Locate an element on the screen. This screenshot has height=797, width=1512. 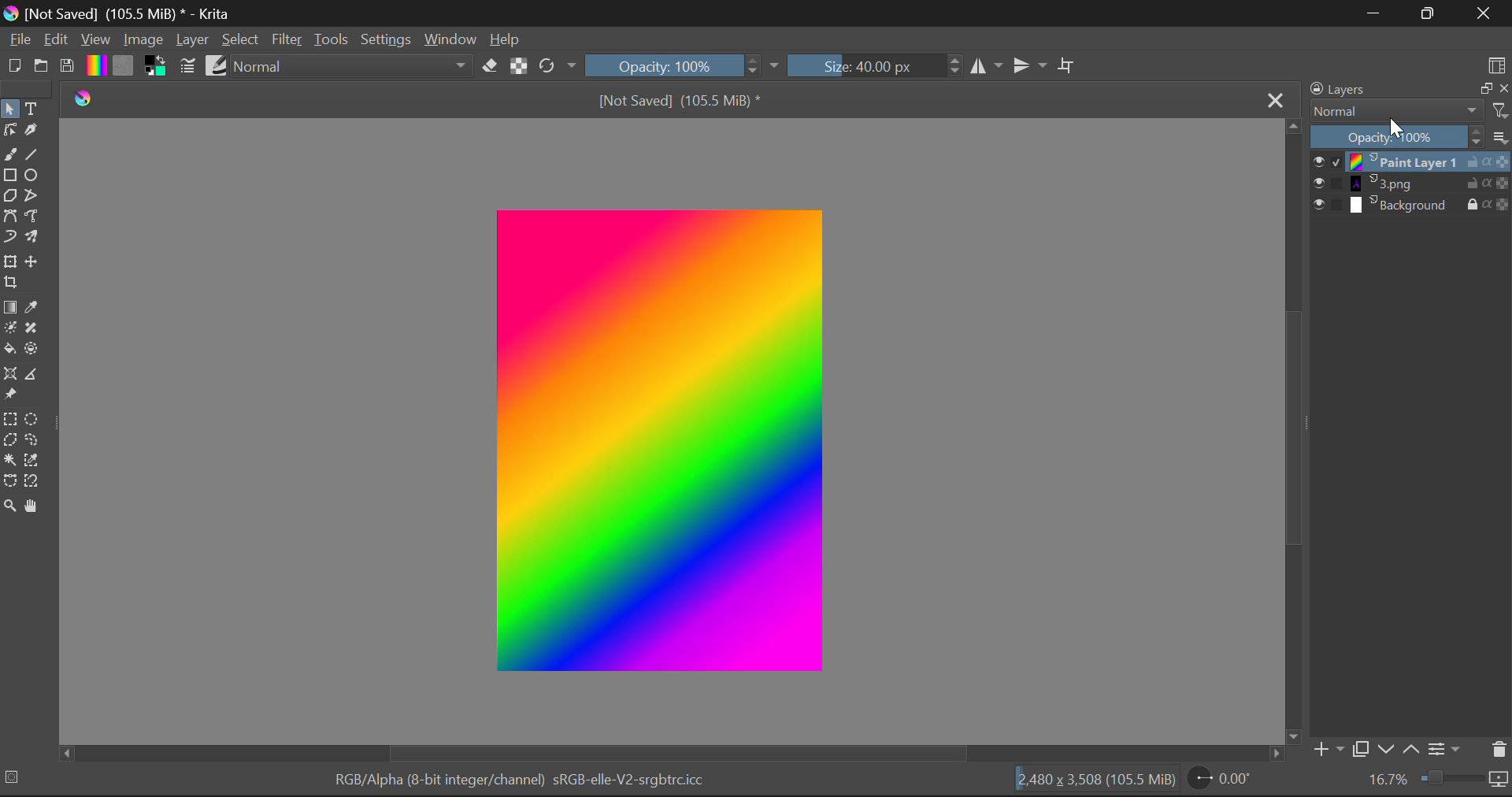
Horizontal Mirror Flip is located at coordinates (1027, 65).